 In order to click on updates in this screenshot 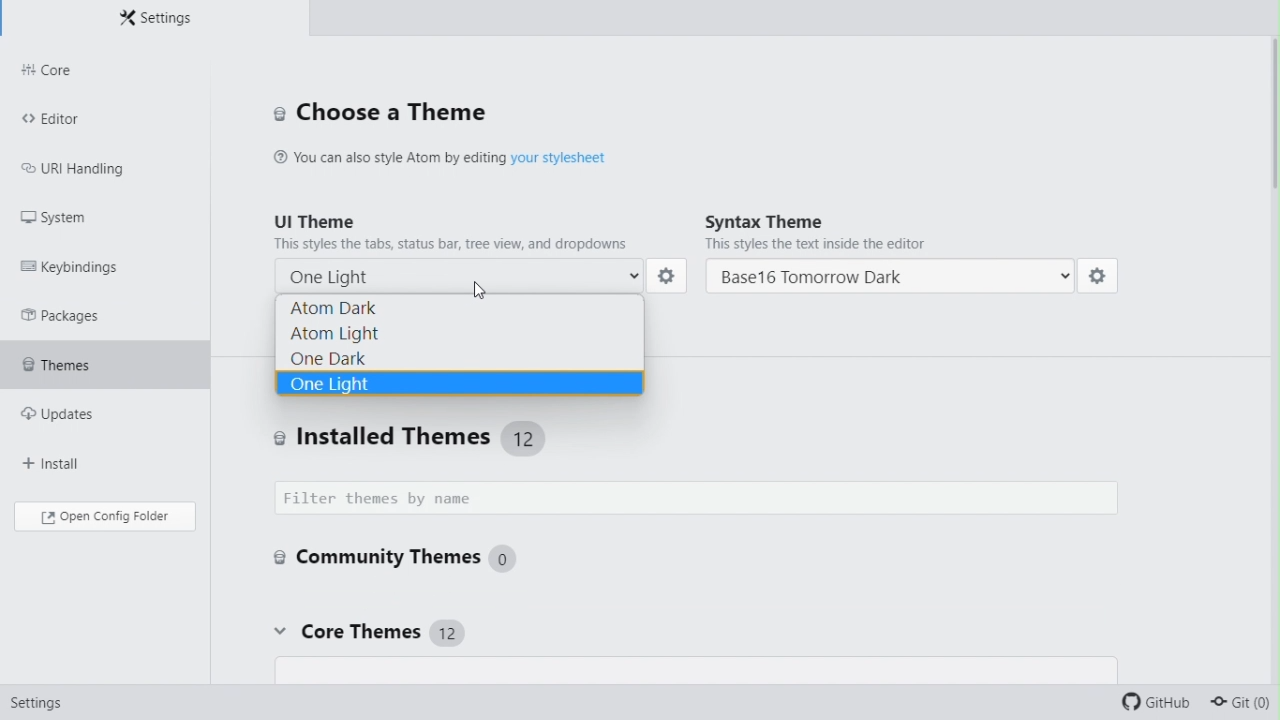, I will do `click(92, 407)`.